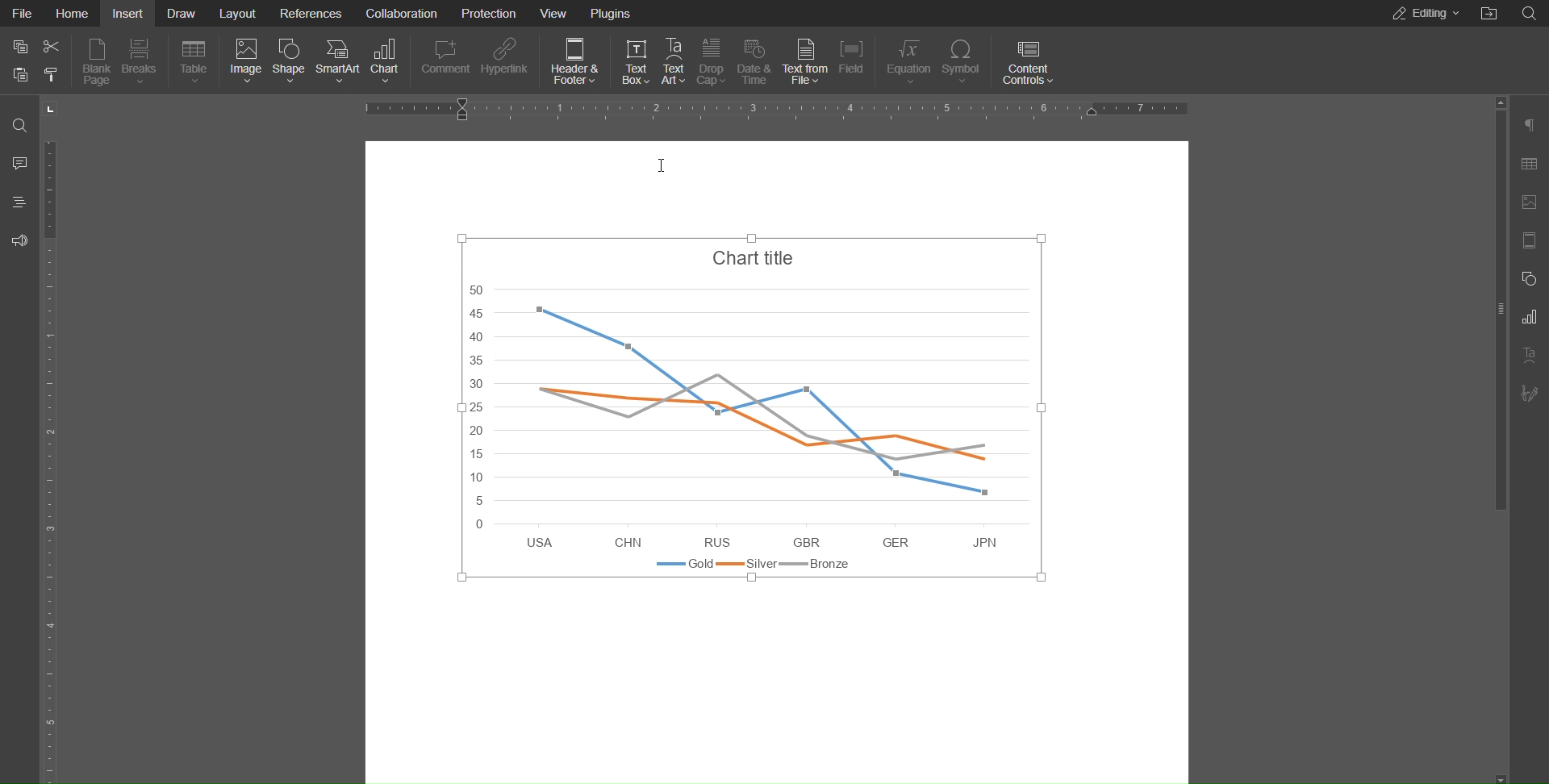  Describe the element at coordinates (1530, 201) in the screenshot. I see `Image Settings` at that location.